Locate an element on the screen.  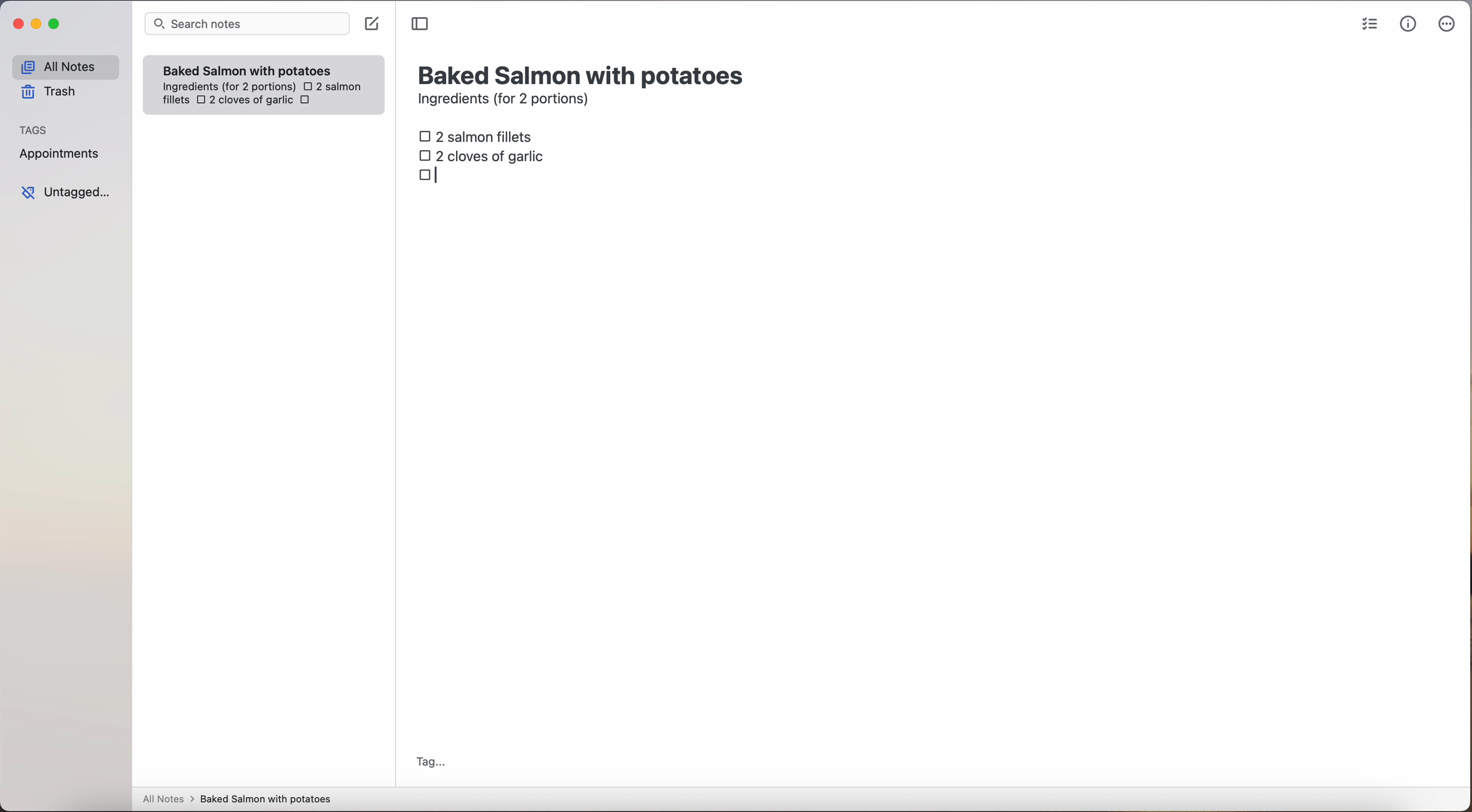
ingredients (for 2 portions) is located at coordinates (507, 101).